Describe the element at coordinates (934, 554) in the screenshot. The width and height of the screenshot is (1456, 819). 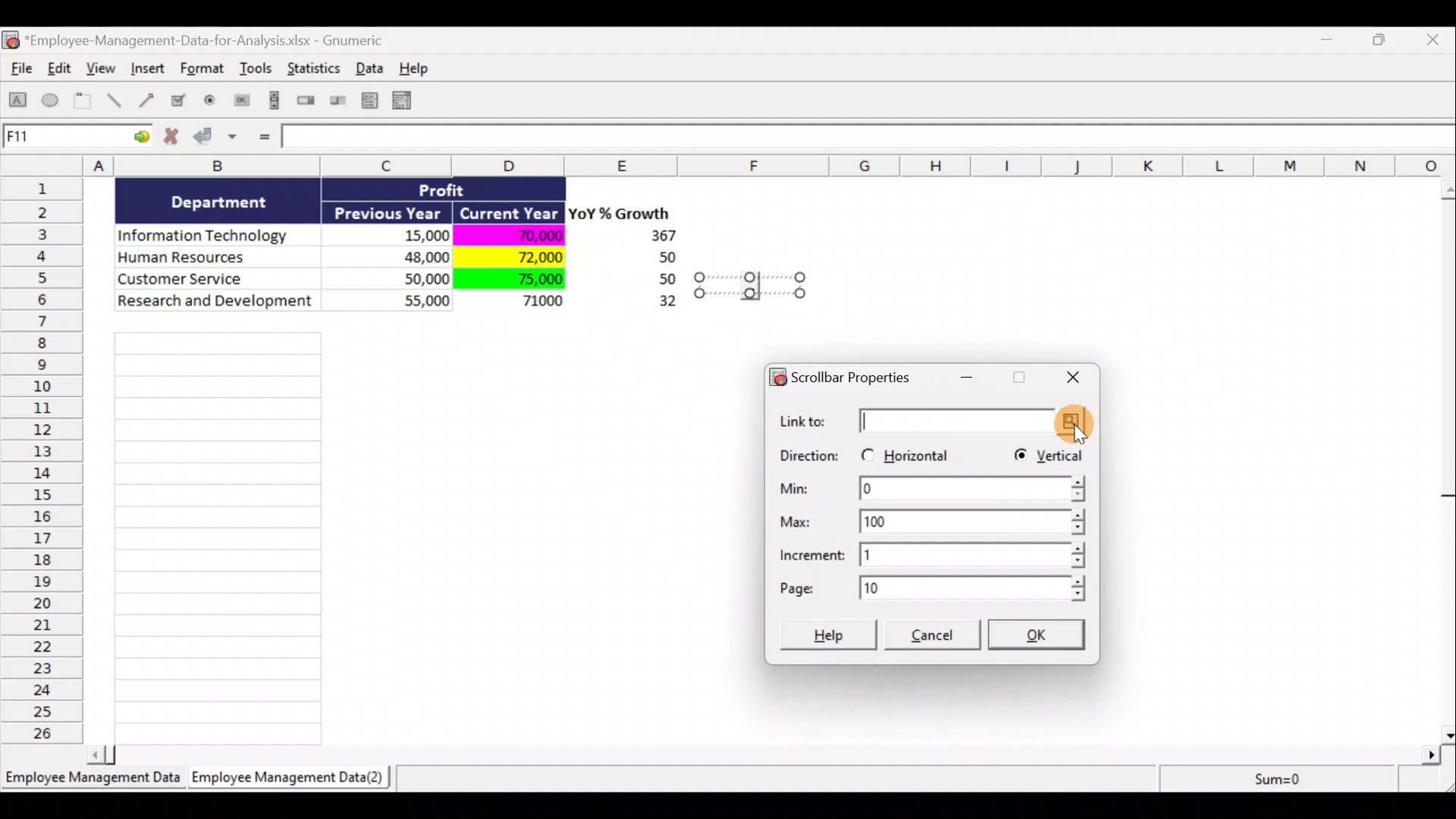
I see `Increment` at that location.